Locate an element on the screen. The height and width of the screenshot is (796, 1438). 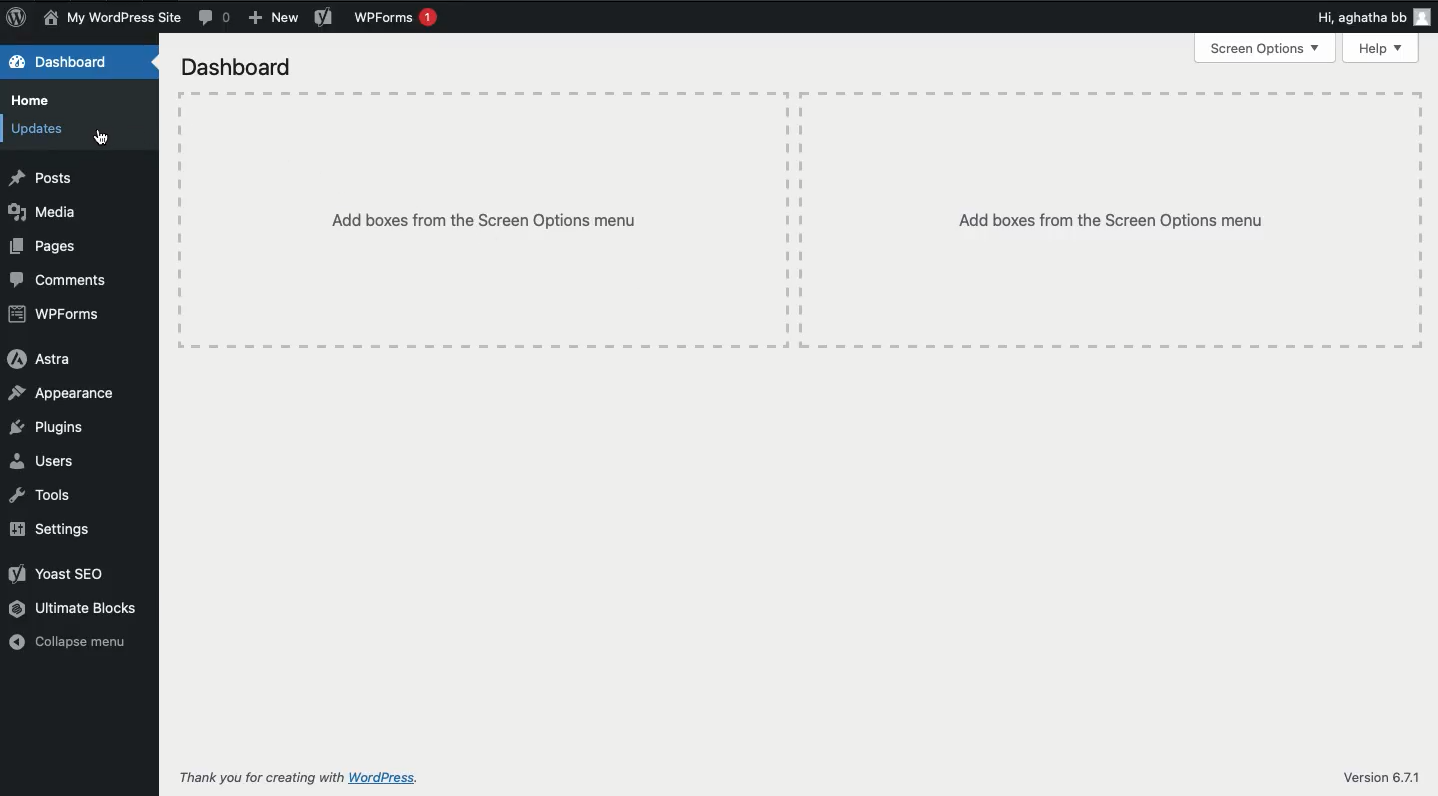
Thank you for creating with WordPress is located at coordinates (308, 776).